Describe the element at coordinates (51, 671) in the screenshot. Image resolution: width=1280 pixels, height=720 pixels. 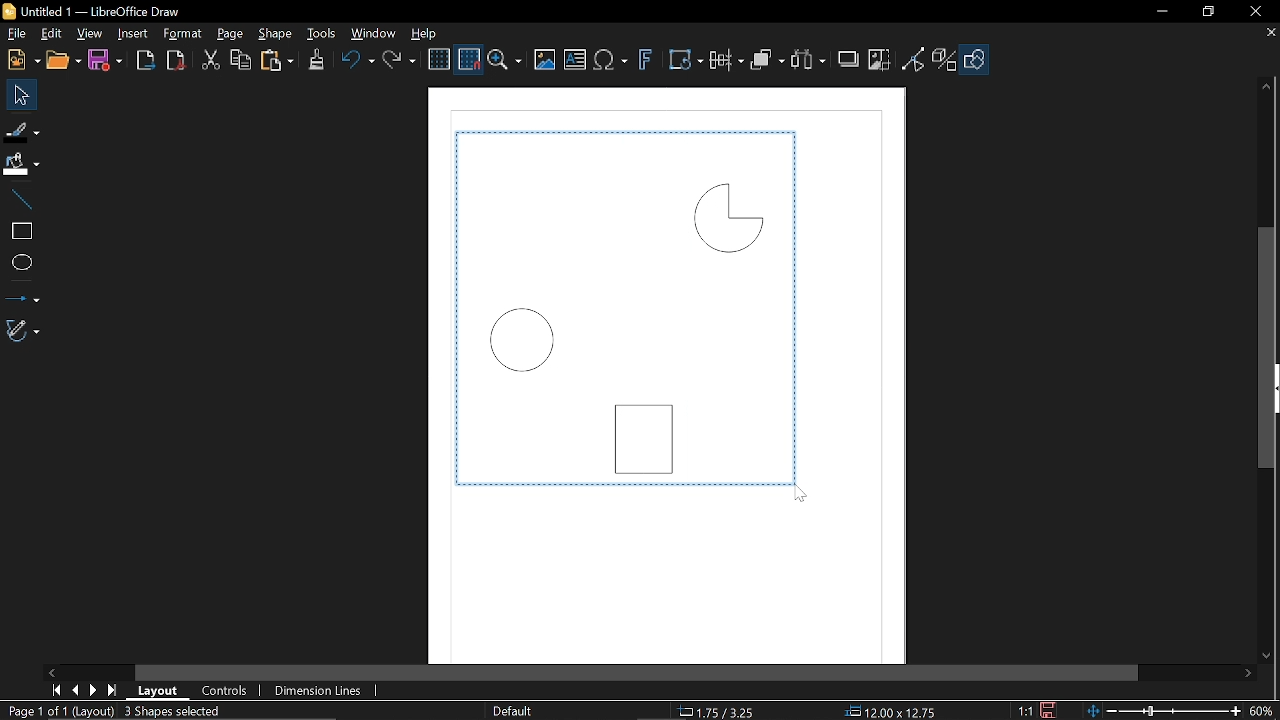
I see `Move left` at that location.